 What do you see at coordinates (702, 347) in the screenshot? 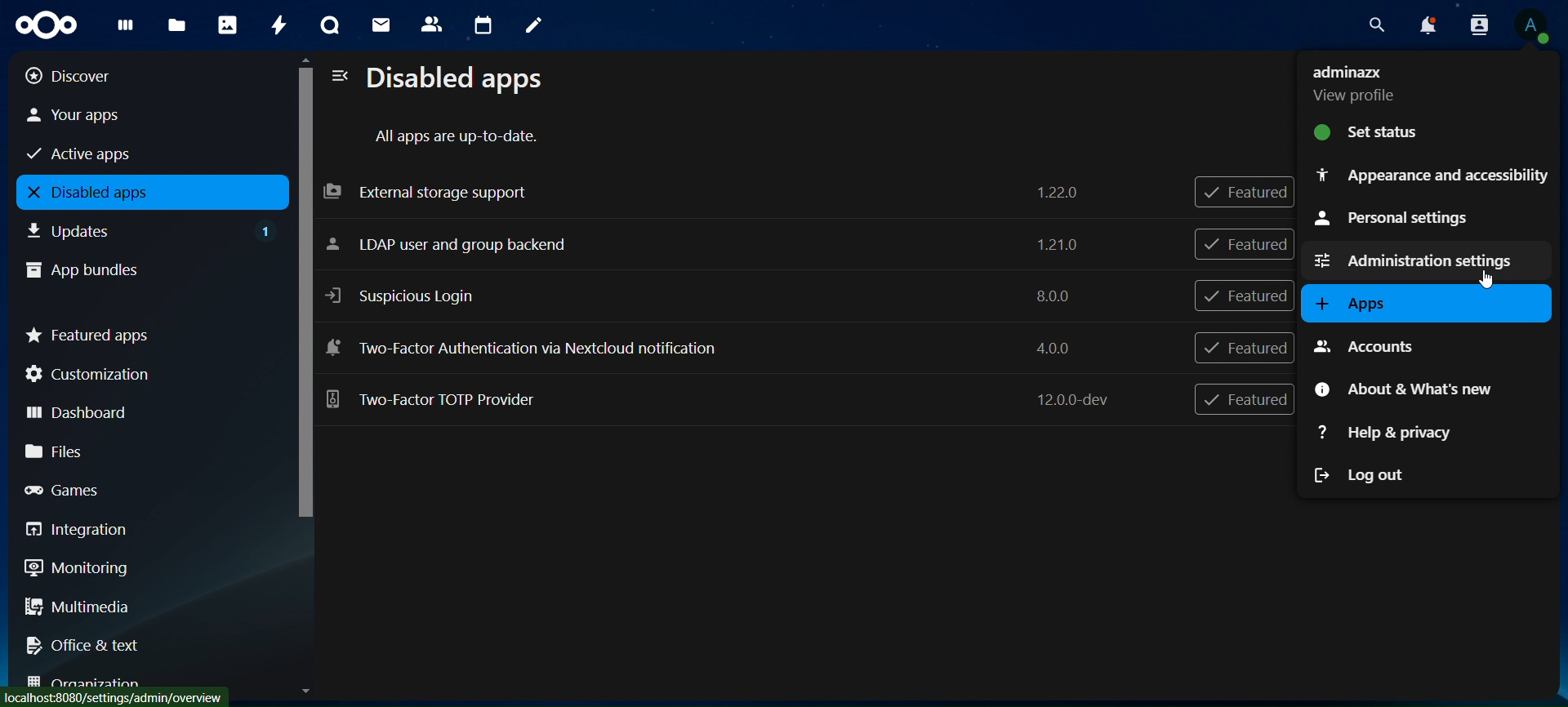
I see `two factor authentication via Nextcloud notification` at bounding box center [702, 347].